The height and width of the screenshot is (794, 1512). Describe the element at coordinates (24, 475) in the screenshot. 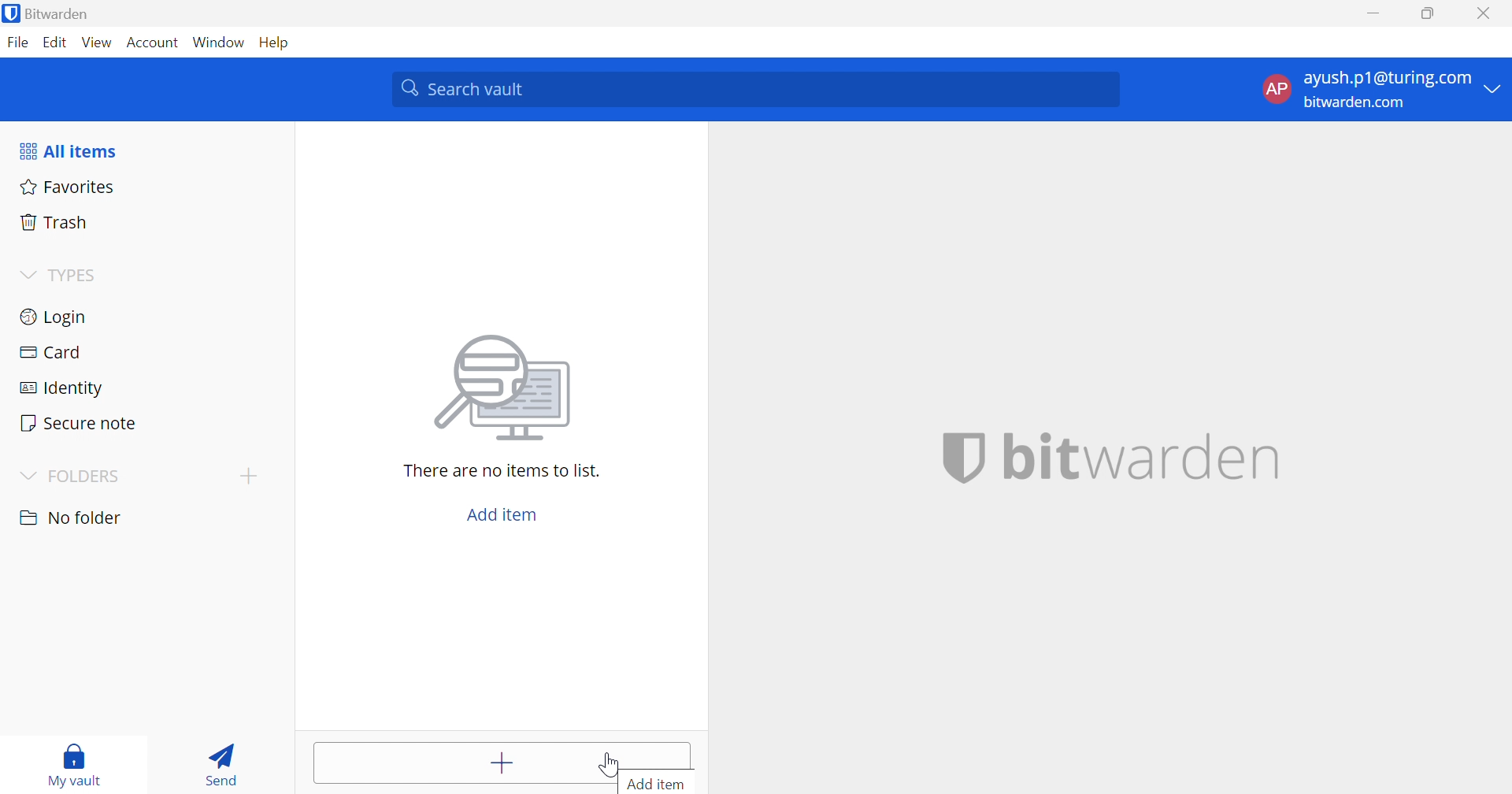

I see `Drop Down` at that location.